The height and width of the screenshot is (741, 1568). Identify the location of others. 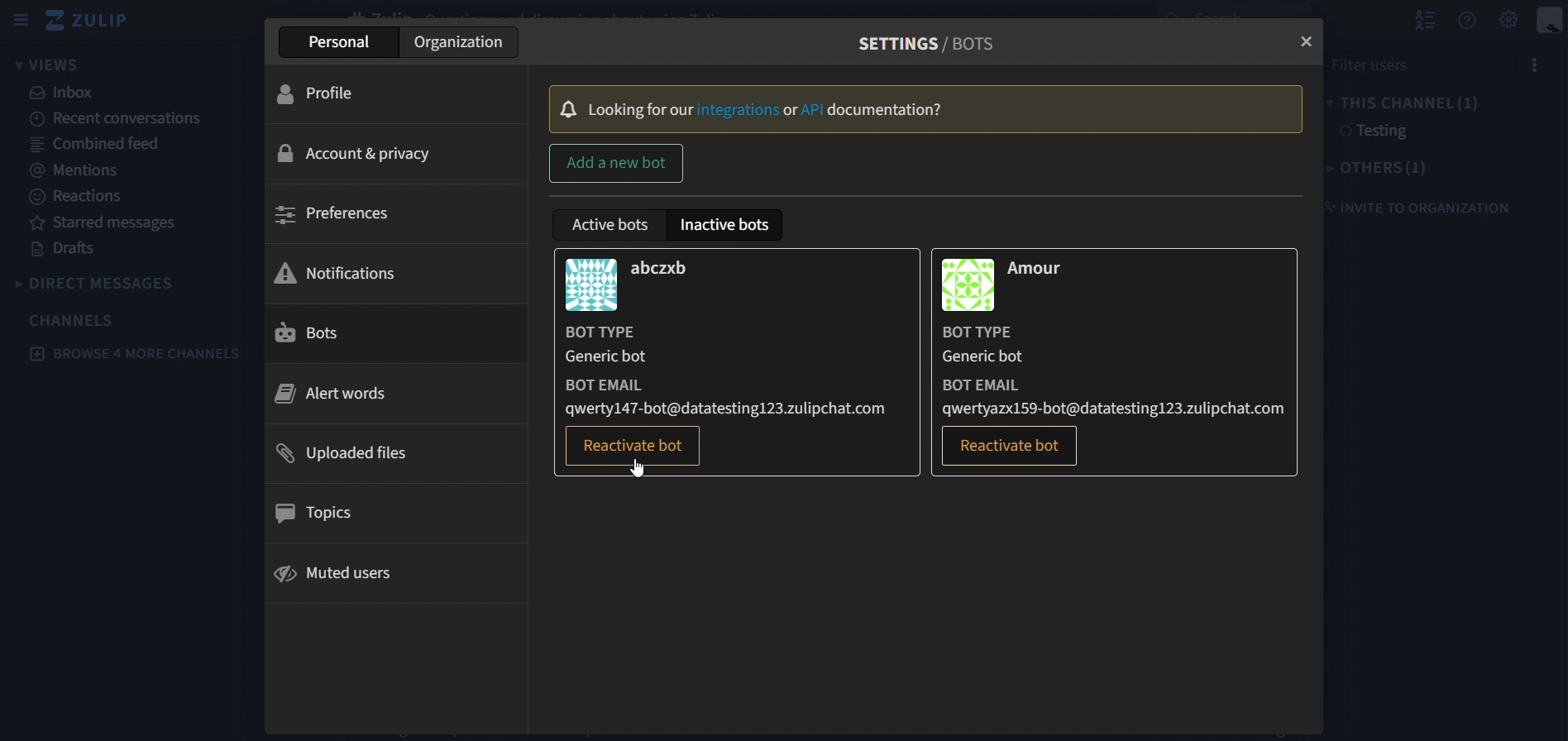
(1370, 169).